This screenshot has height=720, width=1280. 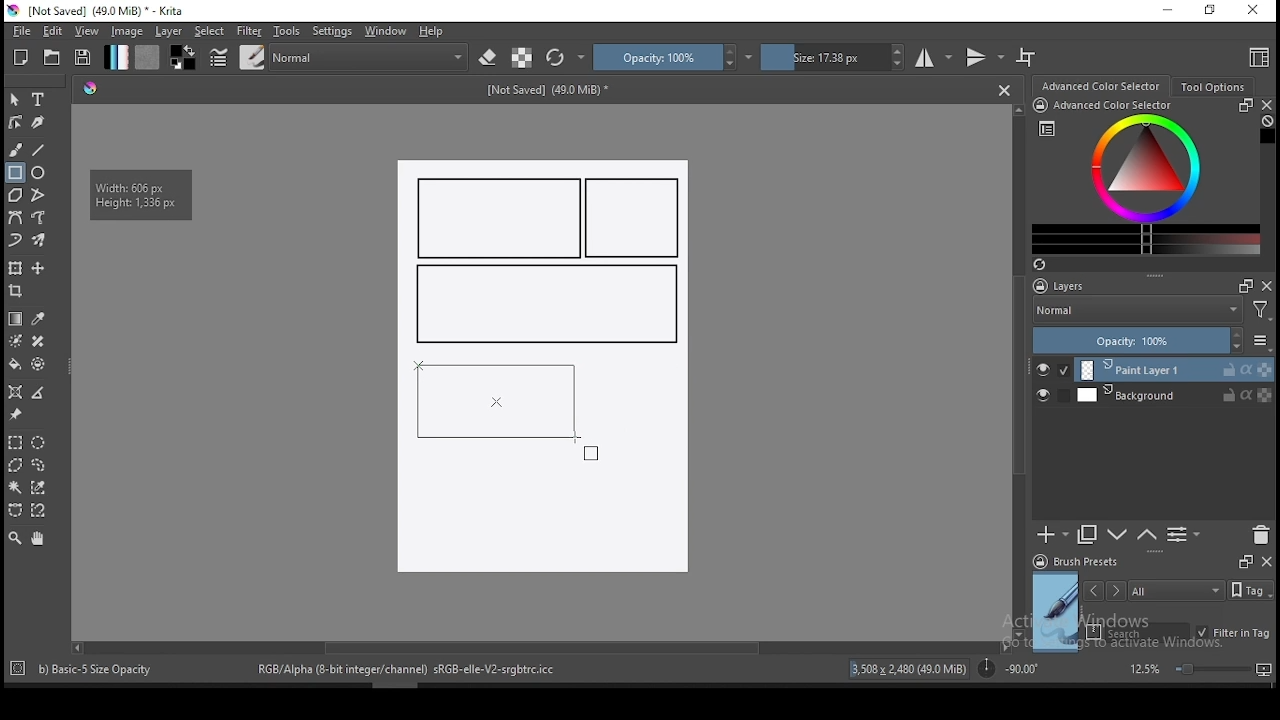 I want to click on filter, so click(x=248, y=31).